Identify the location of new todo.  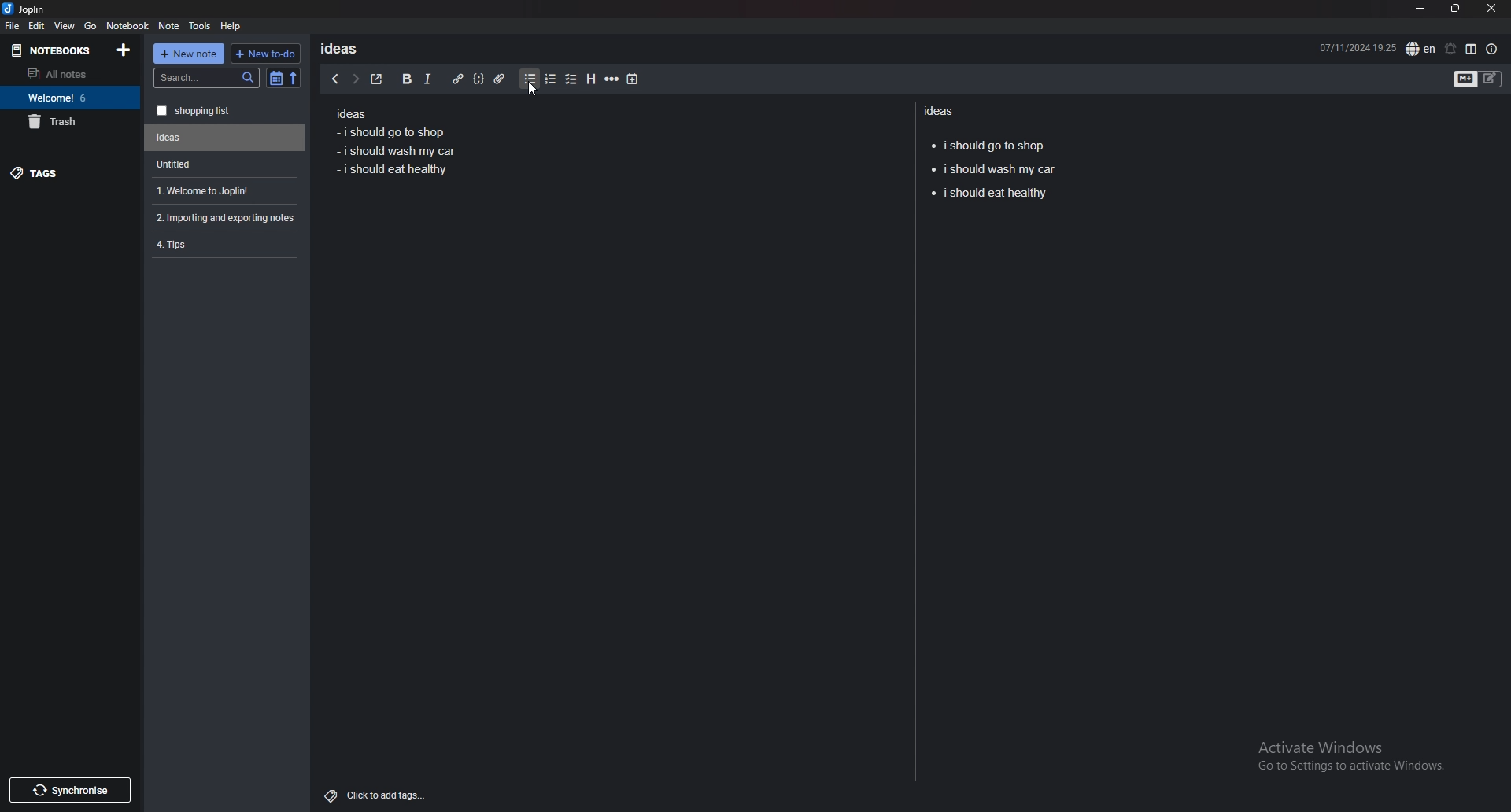
(264, 54).